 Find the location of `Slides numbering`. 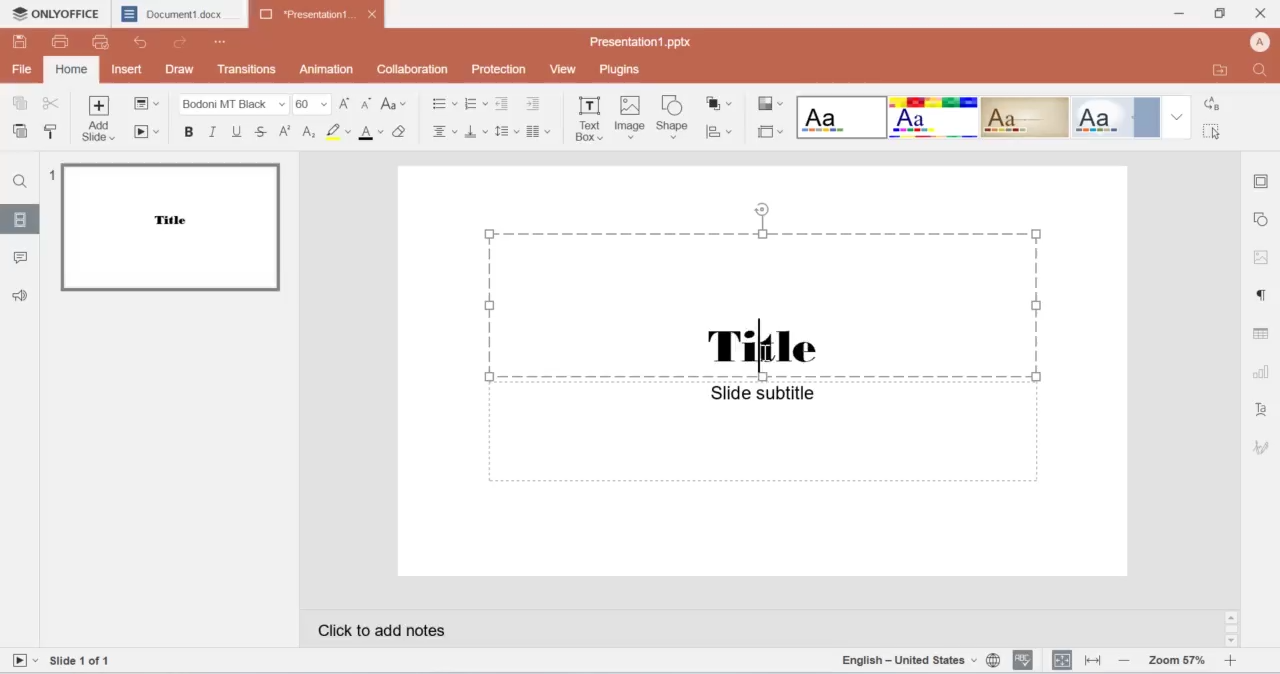

Slides numbering is located at coordinates (87, 662).